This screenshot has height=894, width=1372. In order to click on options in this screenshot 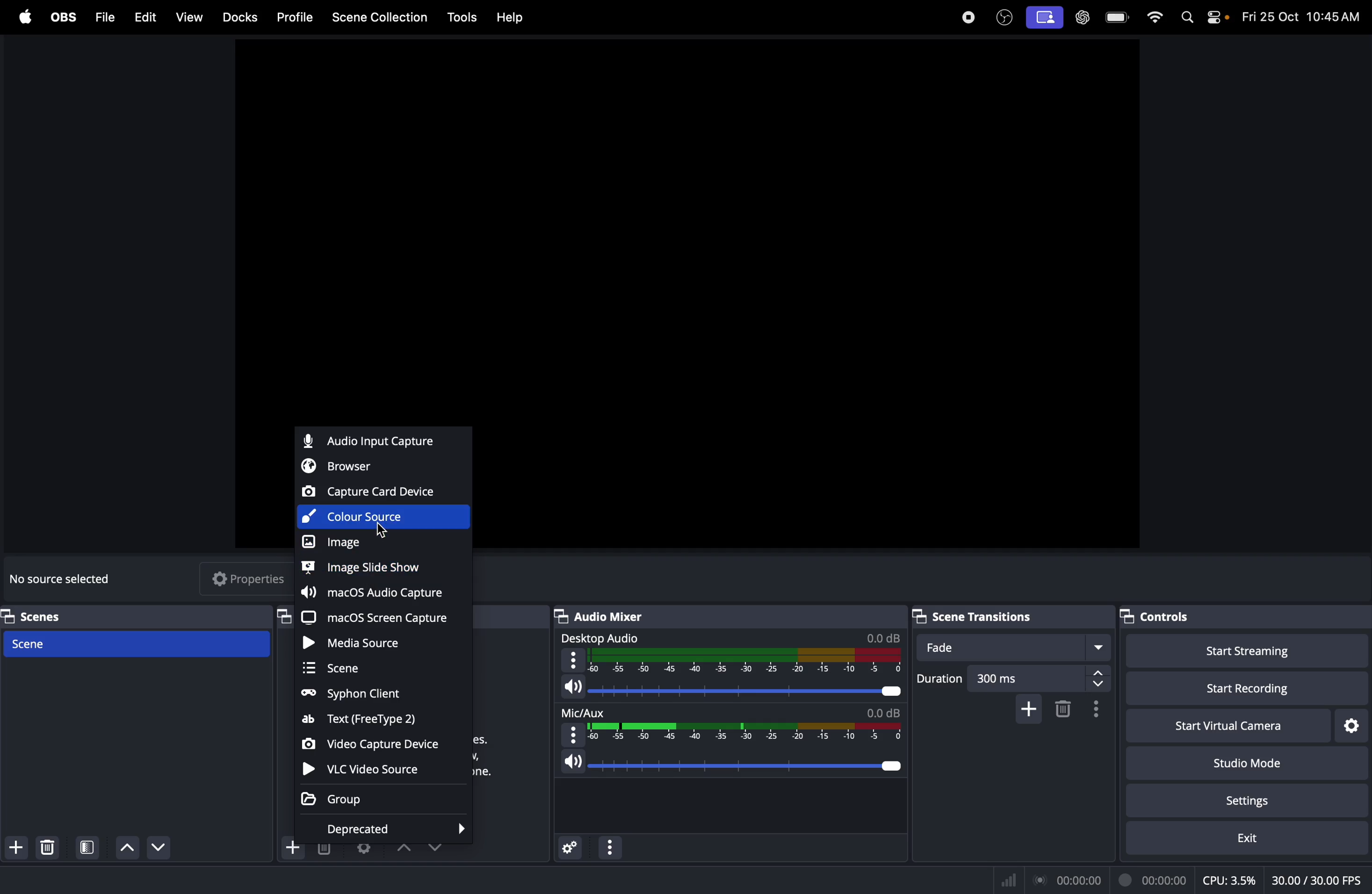, I will do `click(610, 847)`.